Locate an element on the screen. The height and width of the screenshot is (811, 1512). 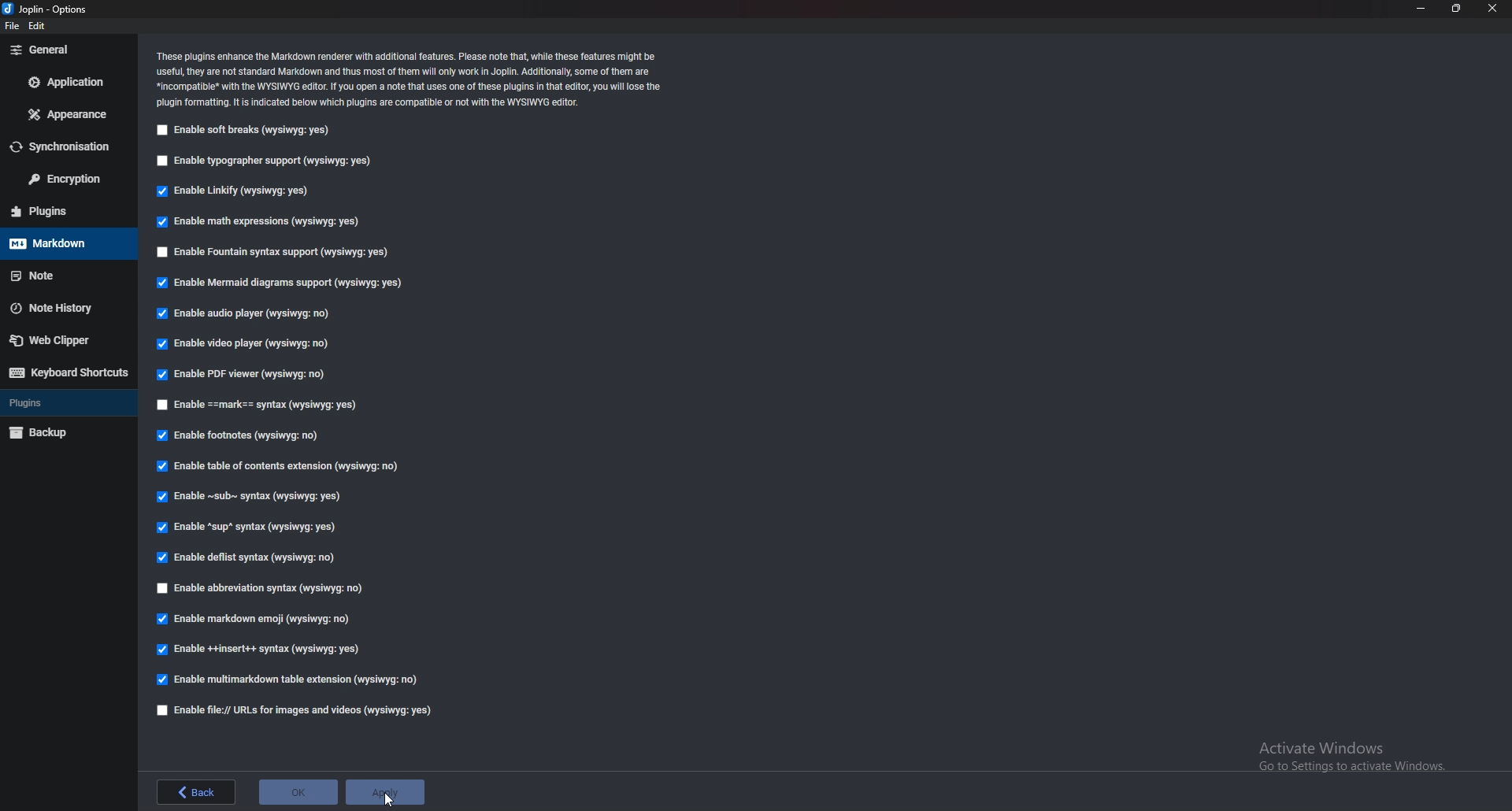
Enable typographer support is located at coordinates (268, 161).